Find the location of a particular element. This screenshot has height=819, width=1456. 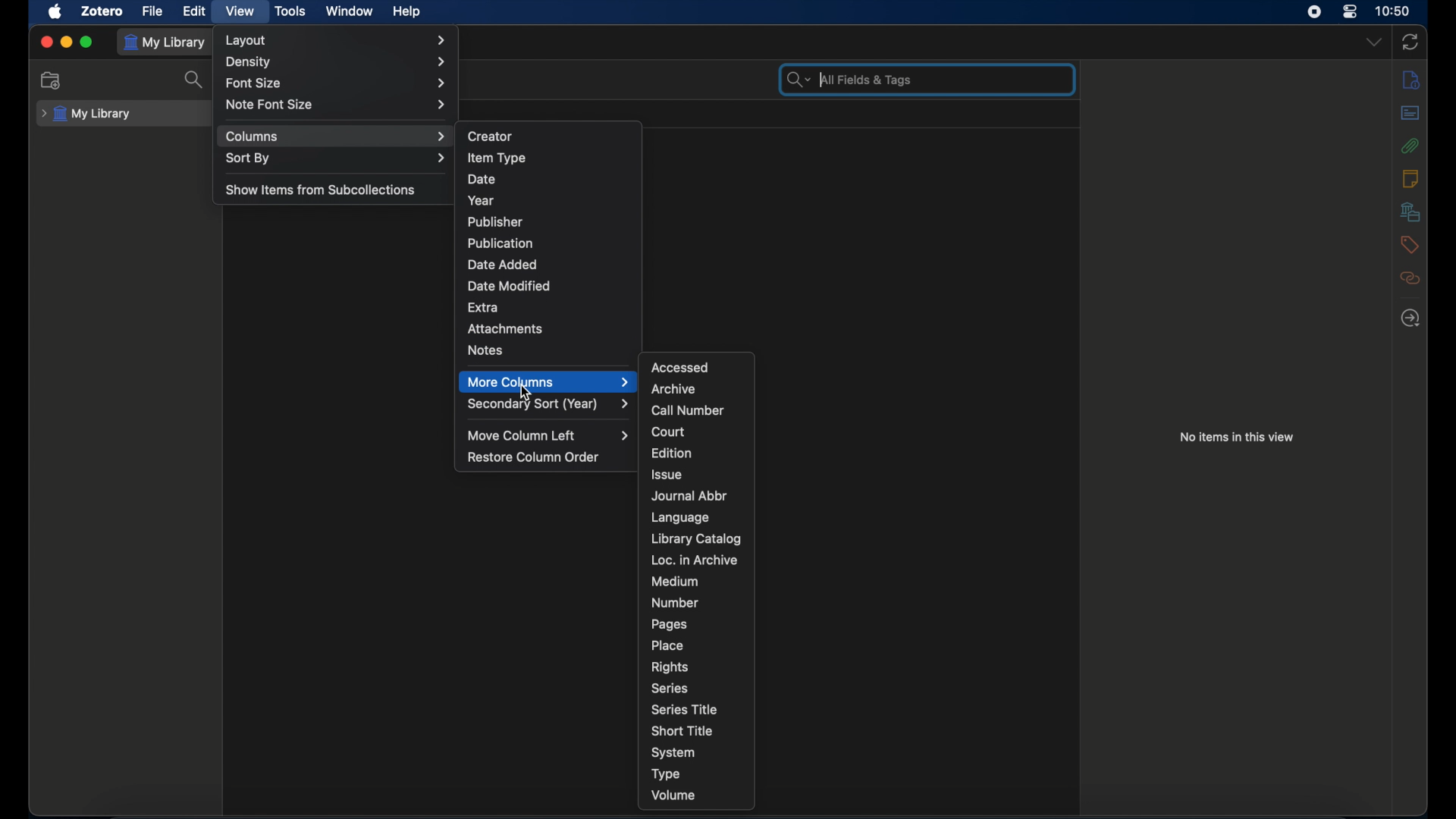

edition is located at coordinates (672, 453).